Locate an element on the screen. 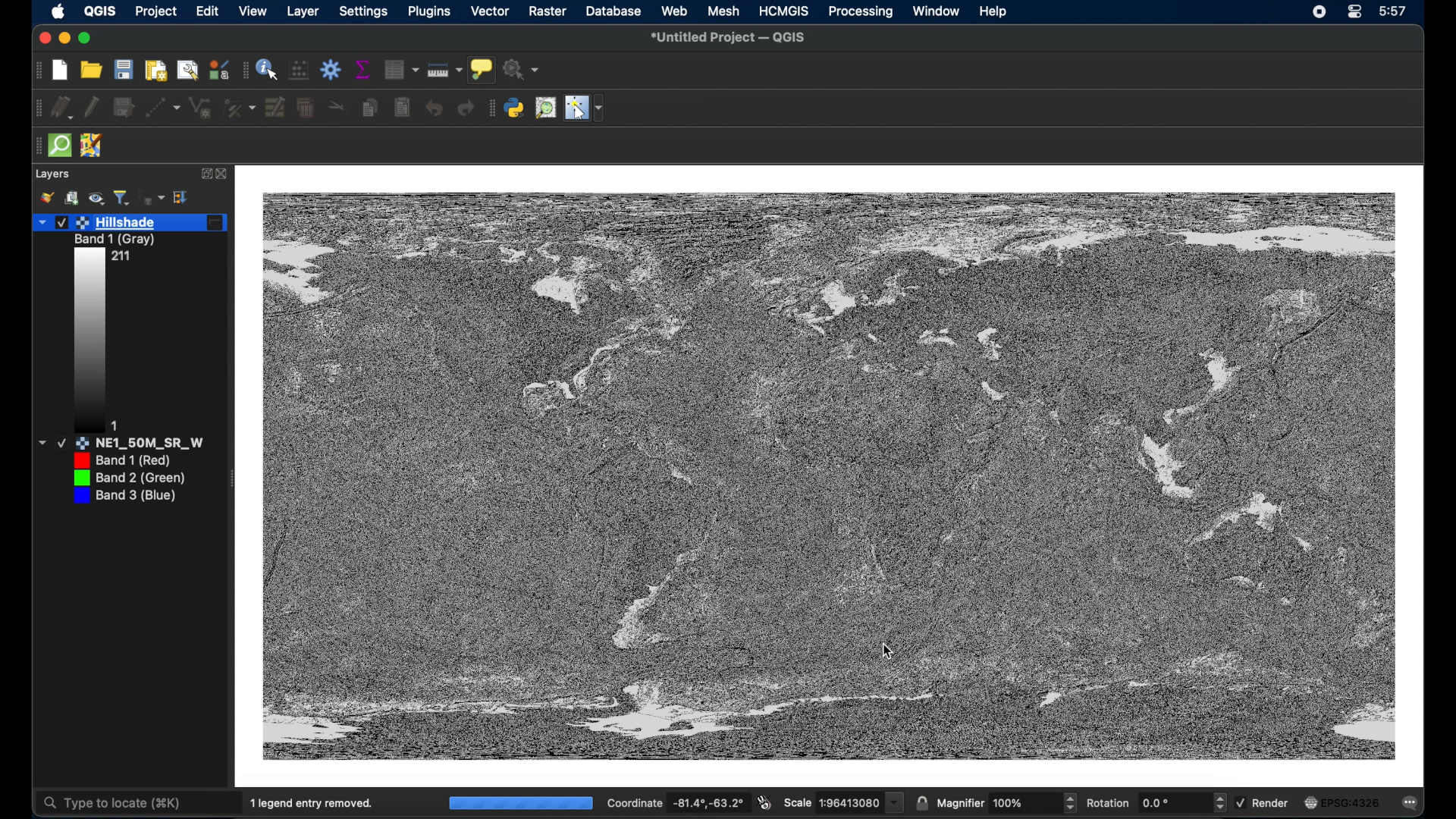 This screenshot has width=1456, height=819. drag handle is located at coordinates (36, 146).